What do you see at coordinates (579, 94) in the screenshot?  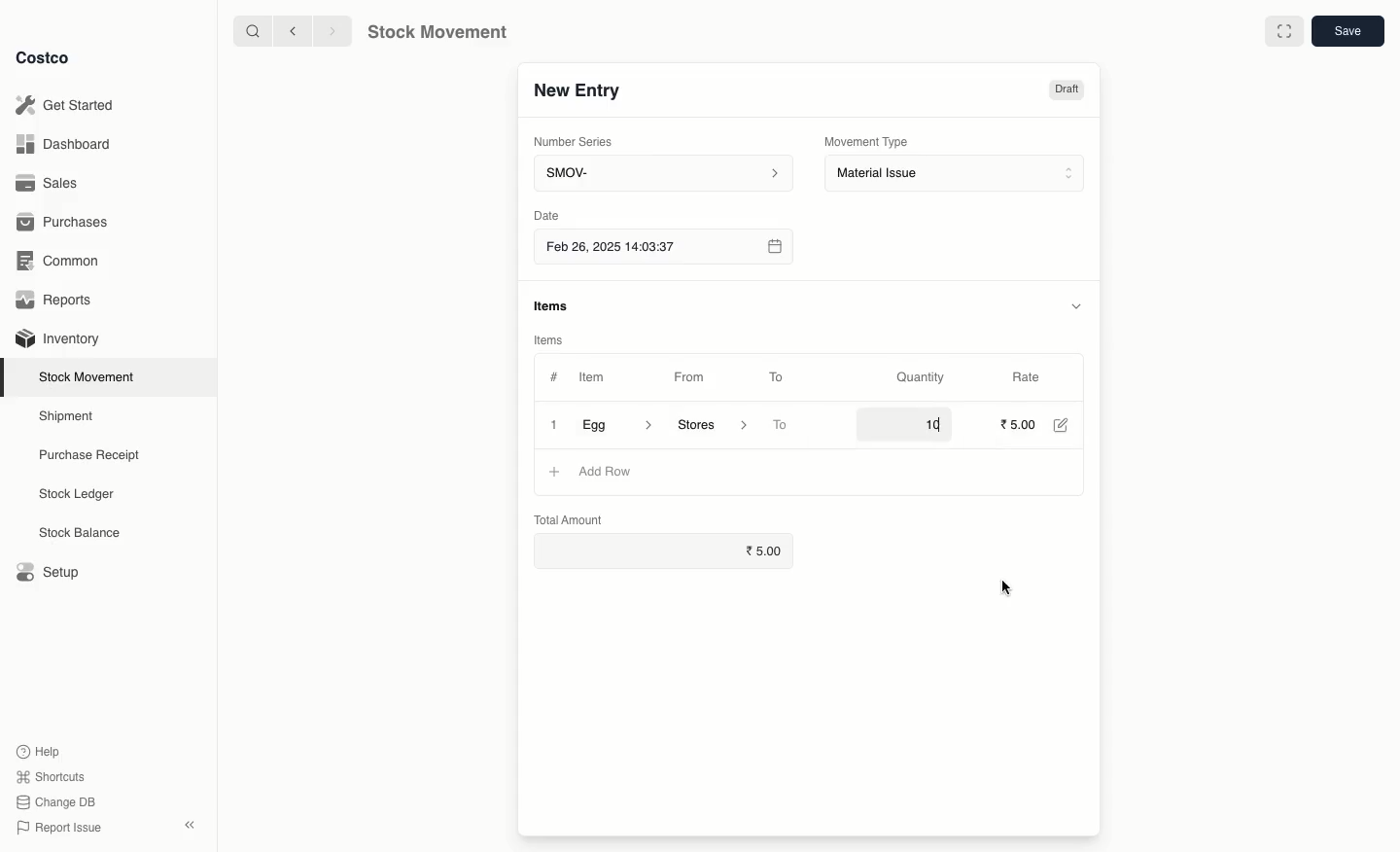 I see `New Entry` at bounding box center [579, 94].